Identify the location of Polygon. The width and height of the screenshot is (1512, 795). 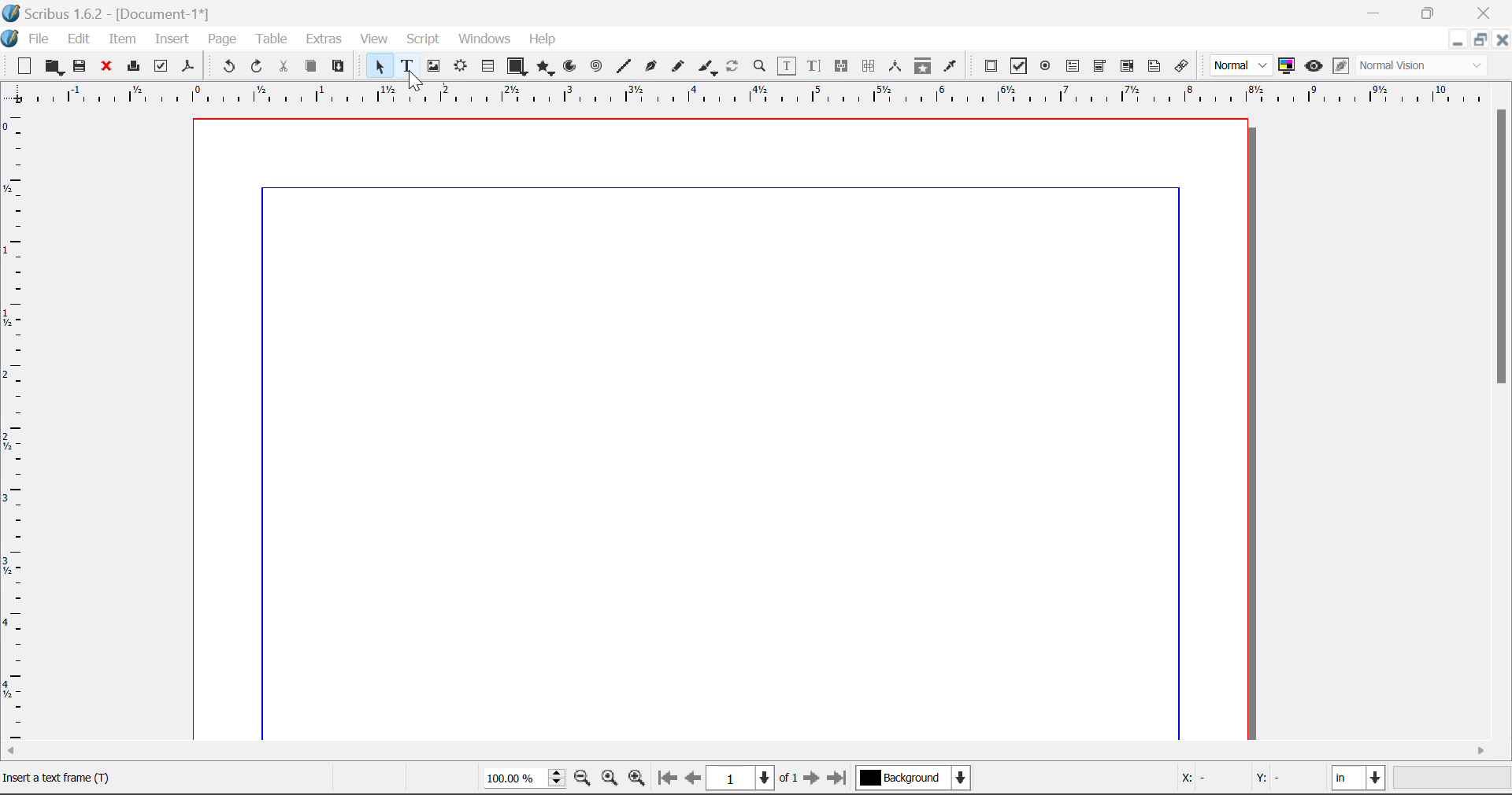
(547, 68).